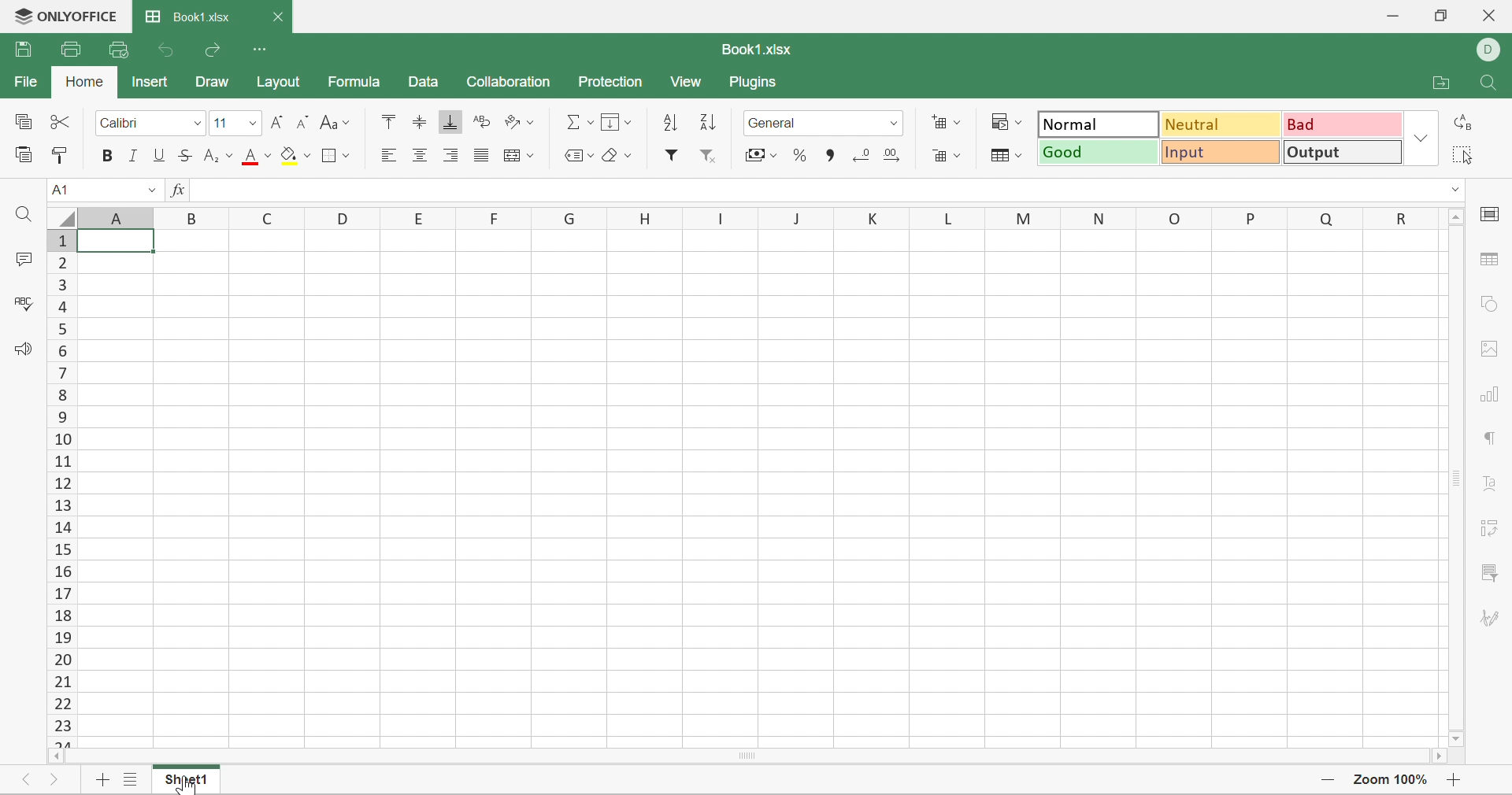 Image resolution: width=1512 pixels, height=795 pixels. What do you see at coordinates (58, 327) in the screenshot?
I see `4` at bounding box center [58, 327].